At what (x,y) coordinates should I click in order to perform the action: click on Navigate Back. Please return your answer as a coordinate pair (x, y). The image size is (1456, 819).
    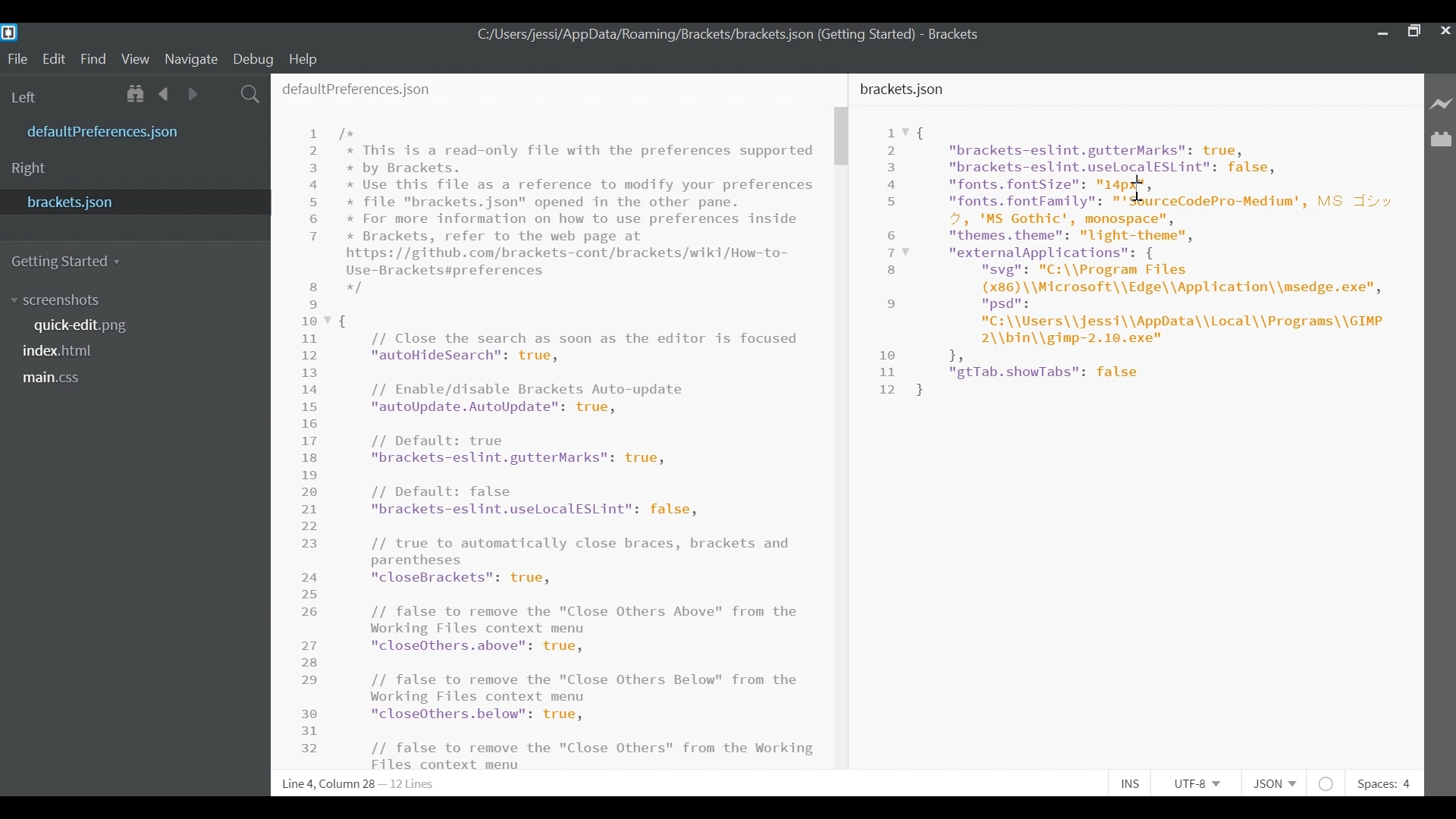
    Looking at the image, I should click on (165, 93).